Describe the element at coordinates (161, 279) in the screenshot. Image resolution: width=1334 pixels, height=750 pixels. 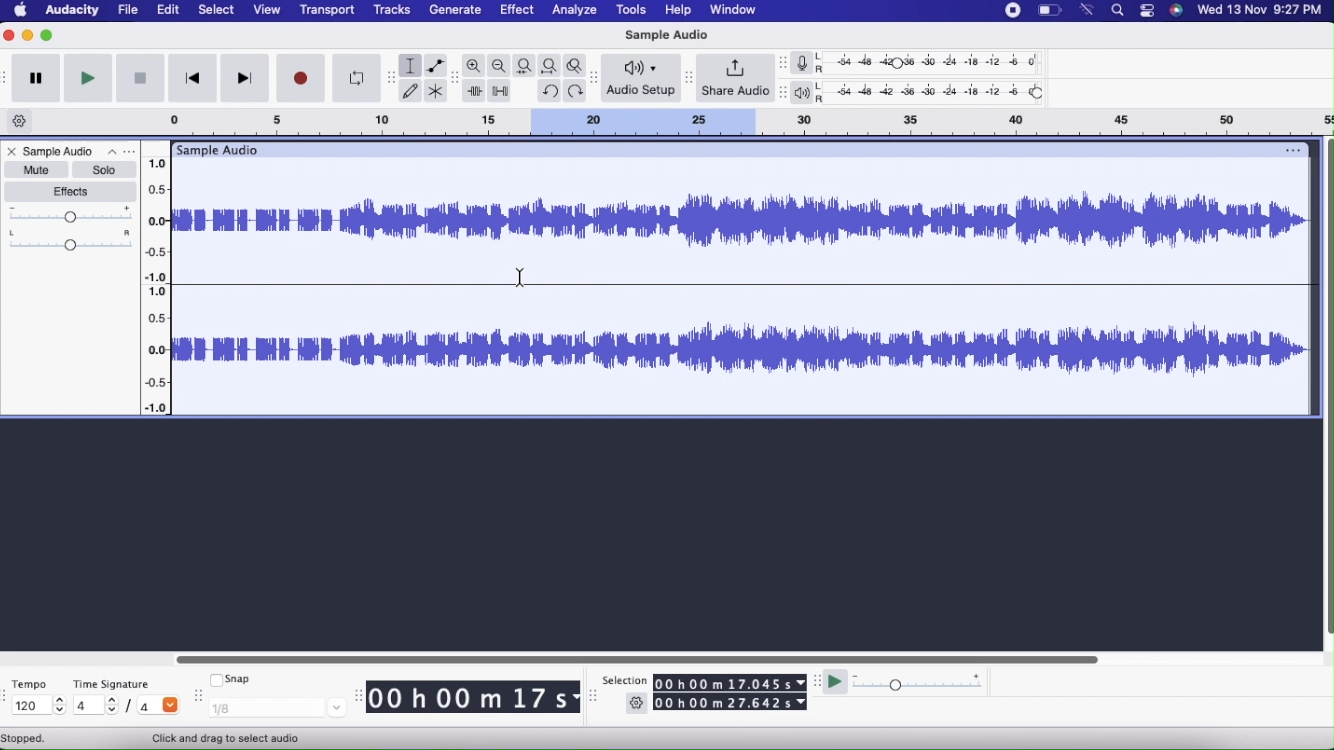
I see `Slider` at that location.